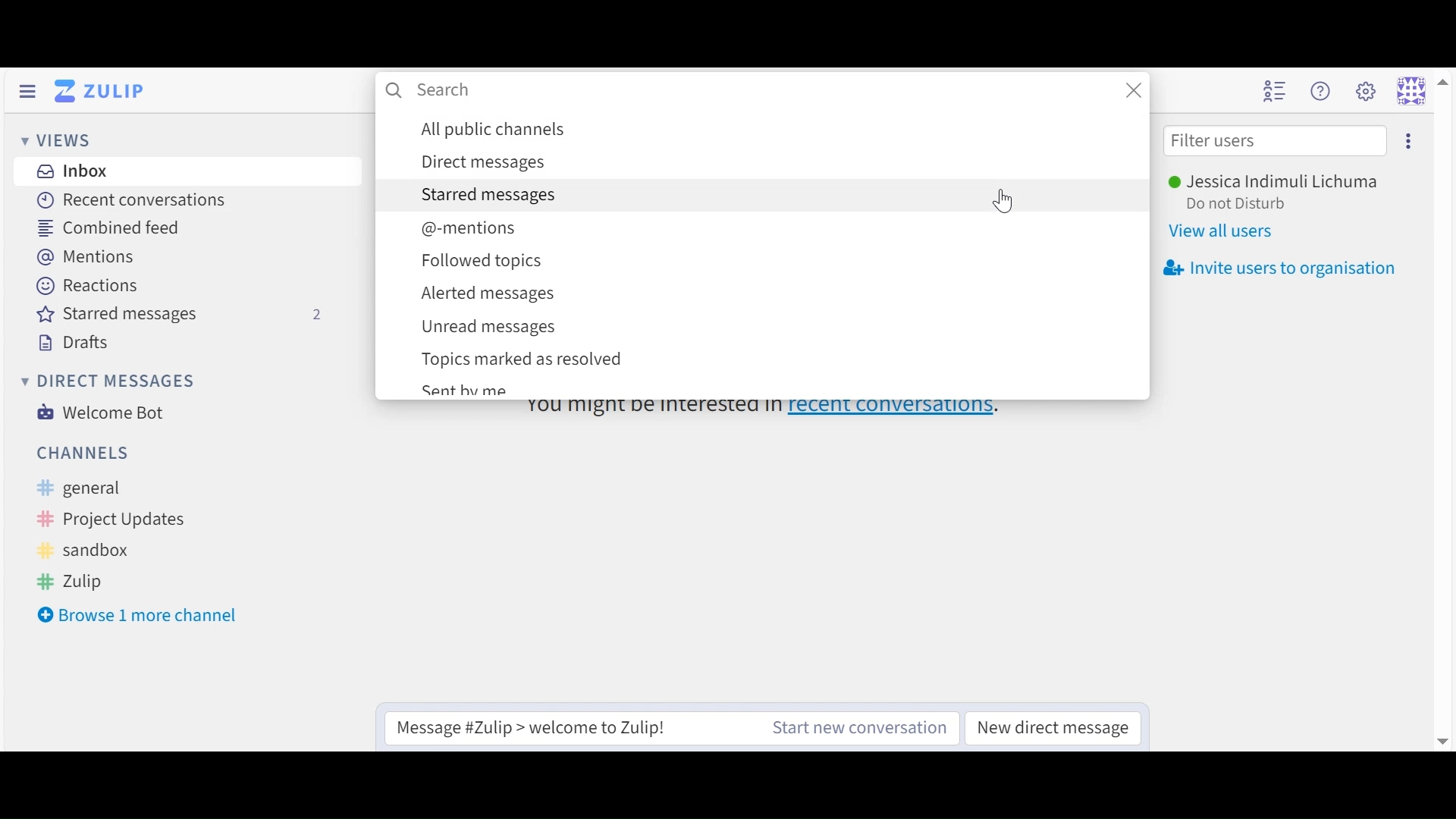 The image size is (1456, 819). I want to click on Recent Conversations, so click(130, 199).